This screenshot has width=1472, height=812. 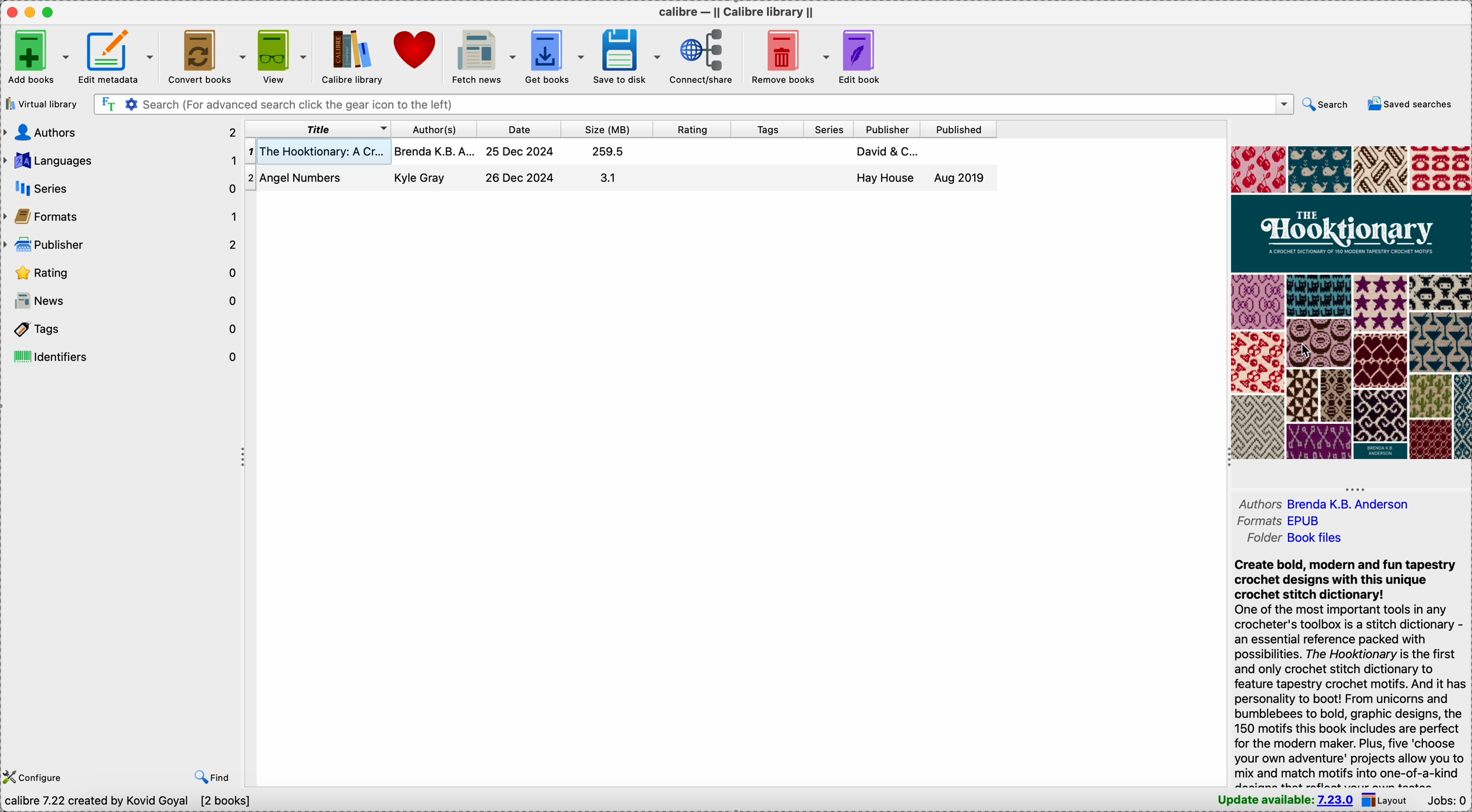 I want to click on publisher, so click(x=122, y=245).